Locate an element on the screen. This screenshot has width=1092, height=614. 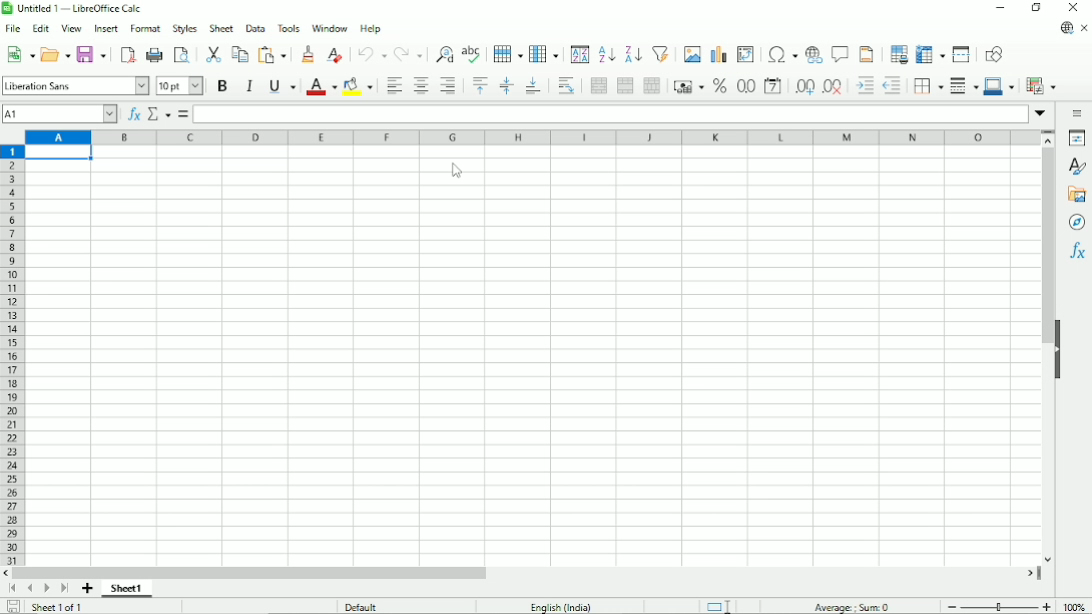
Current cell is located at coordinates (59, 113).